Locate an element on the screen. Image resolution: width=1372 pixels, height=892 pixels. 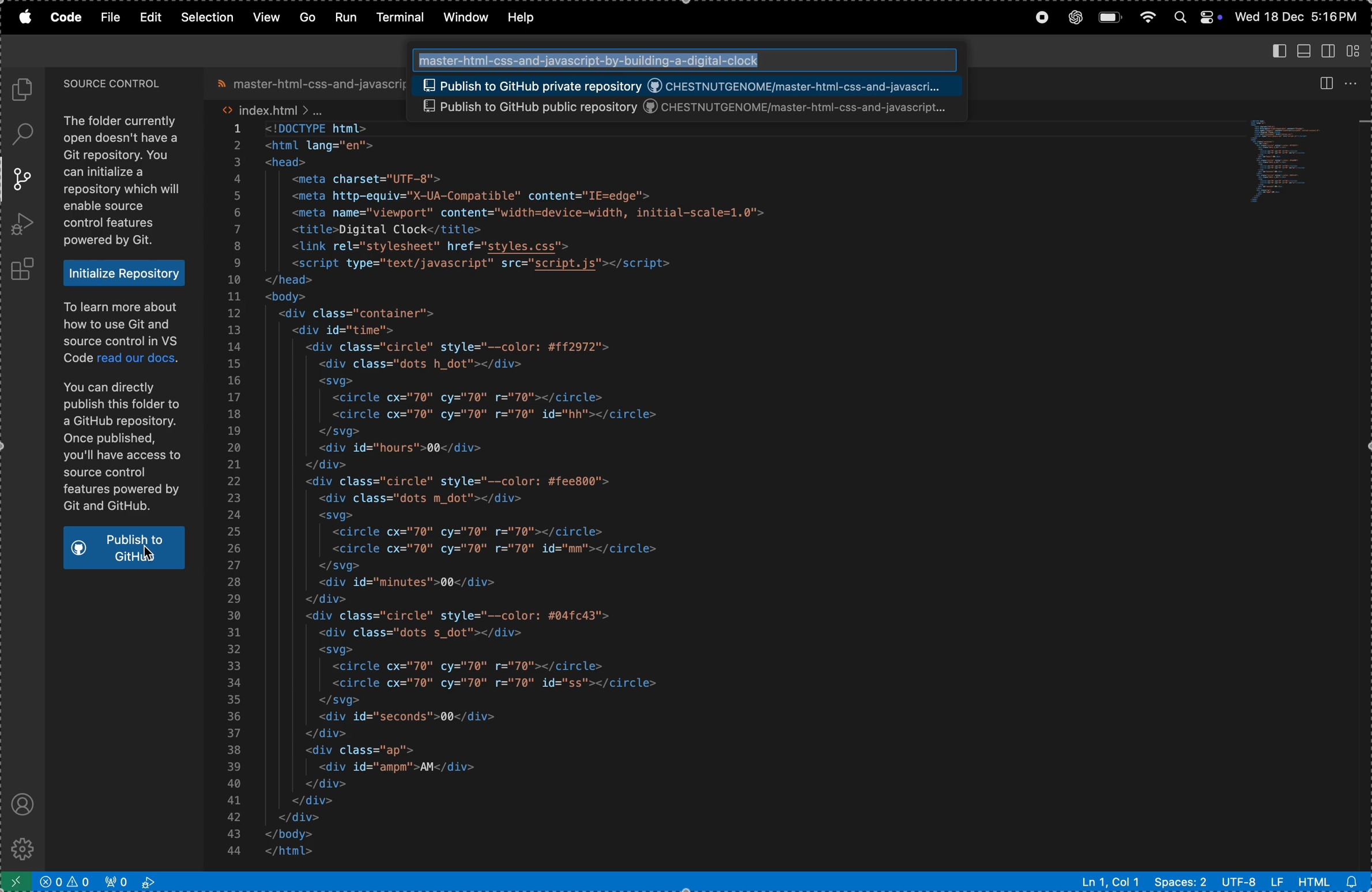
</svg> is located at coordinates (342, 700).